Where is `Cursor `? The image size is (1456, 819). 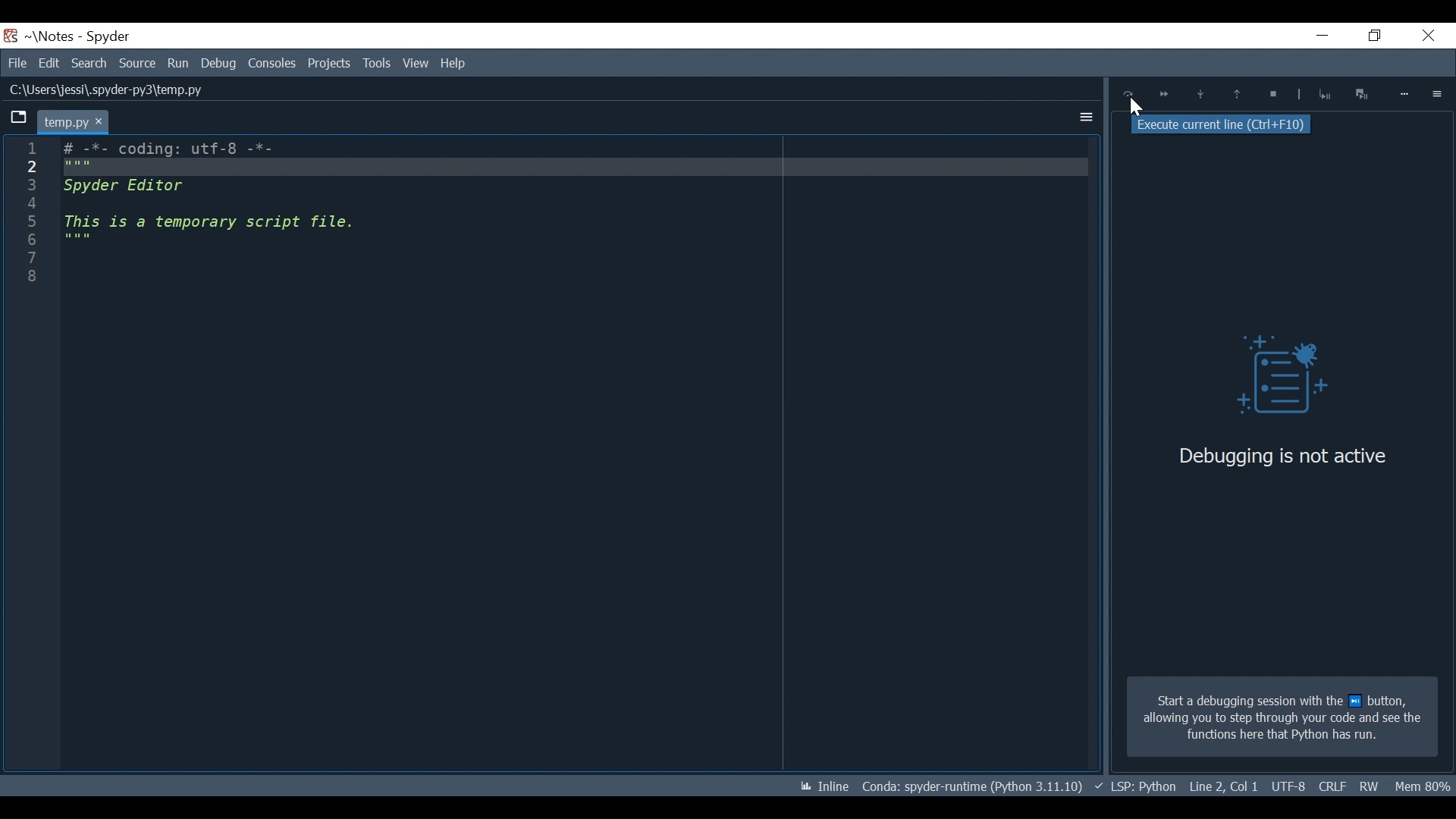
Cursor  is located at coordinates (1137, 109).